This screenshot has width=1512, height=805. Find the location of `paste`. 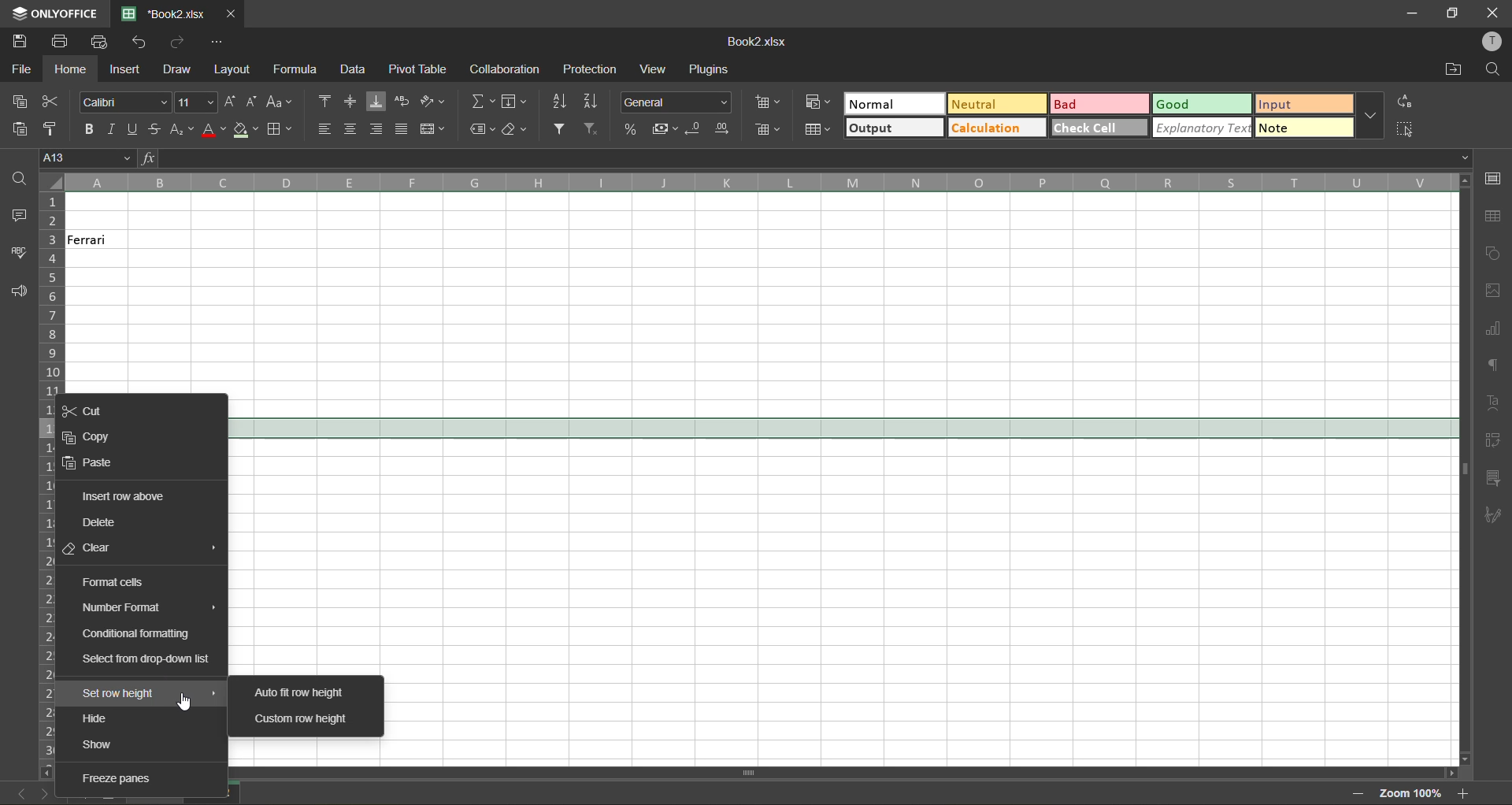

paste is located at coordinates (20, 128).